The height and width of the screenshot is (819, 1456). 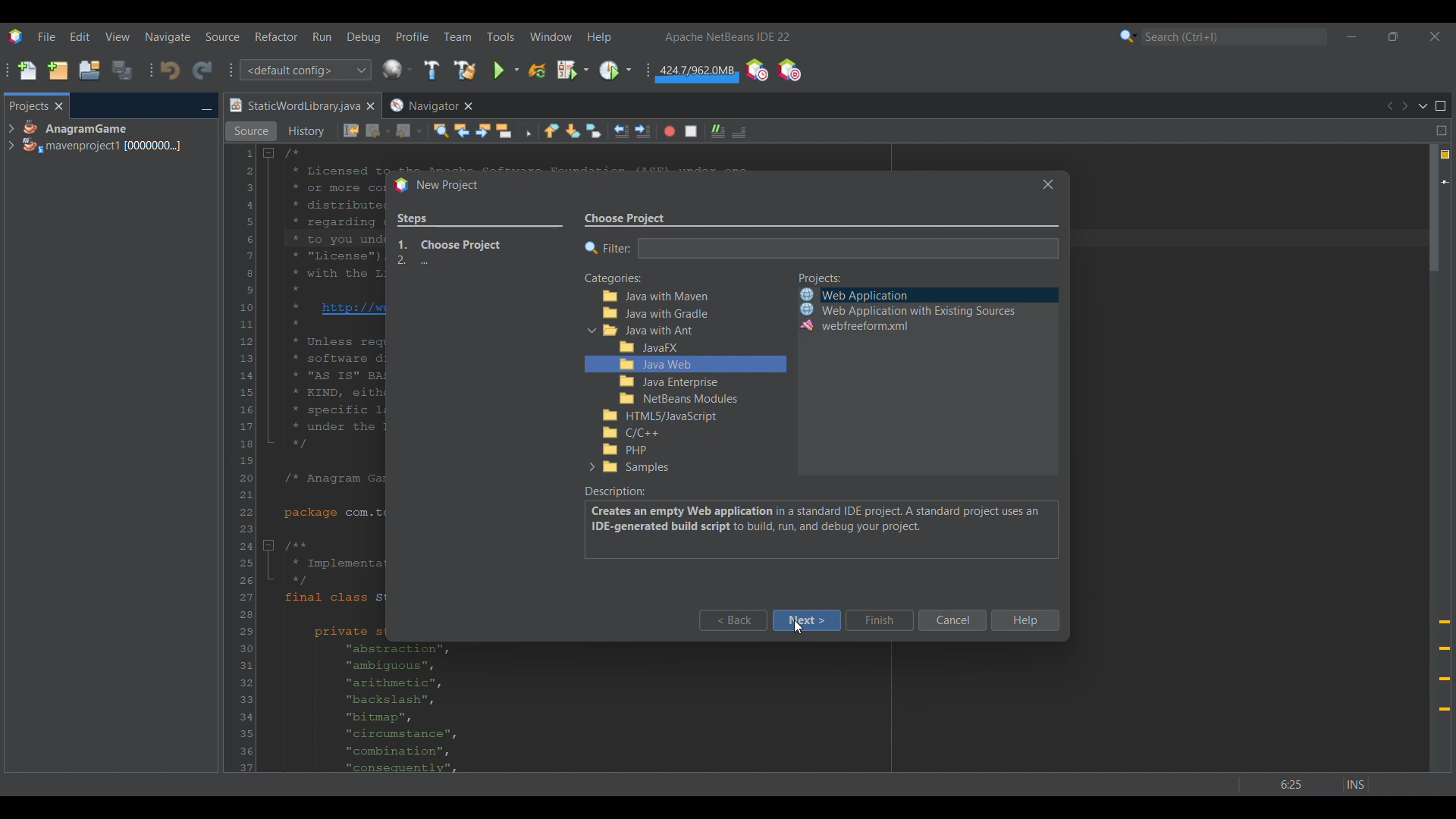 What do you see at coordinates (58, 70) in the screenshot?
I see `New project` at bounding box center [58, 70].